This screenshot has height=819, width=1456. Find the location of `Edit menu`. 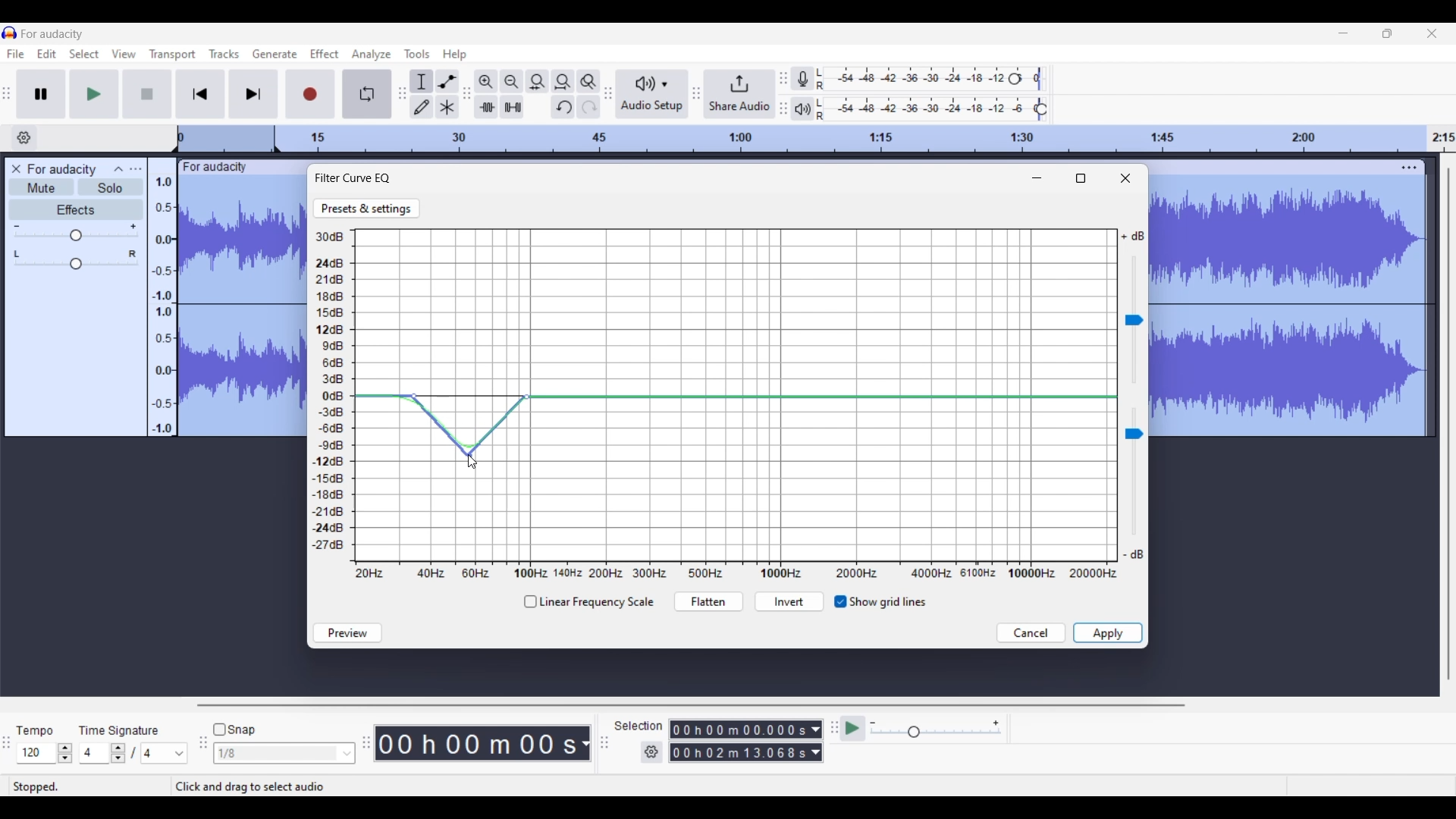

Edit menu is located at coordinates (47, 55).